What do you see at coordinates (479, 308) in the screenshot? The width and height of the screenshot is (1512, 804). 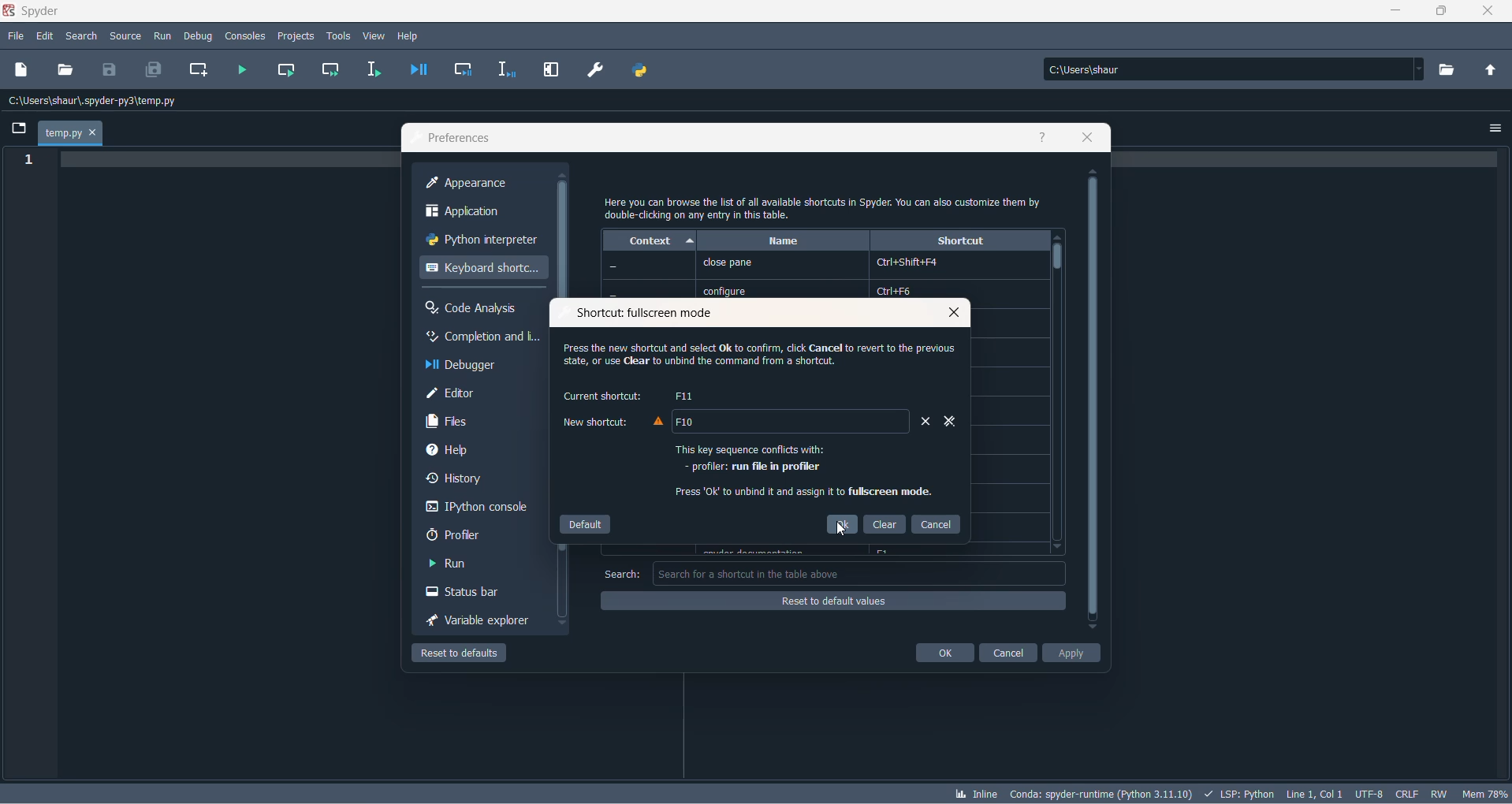 I see `code analysis` at bounding box center [479, 308].